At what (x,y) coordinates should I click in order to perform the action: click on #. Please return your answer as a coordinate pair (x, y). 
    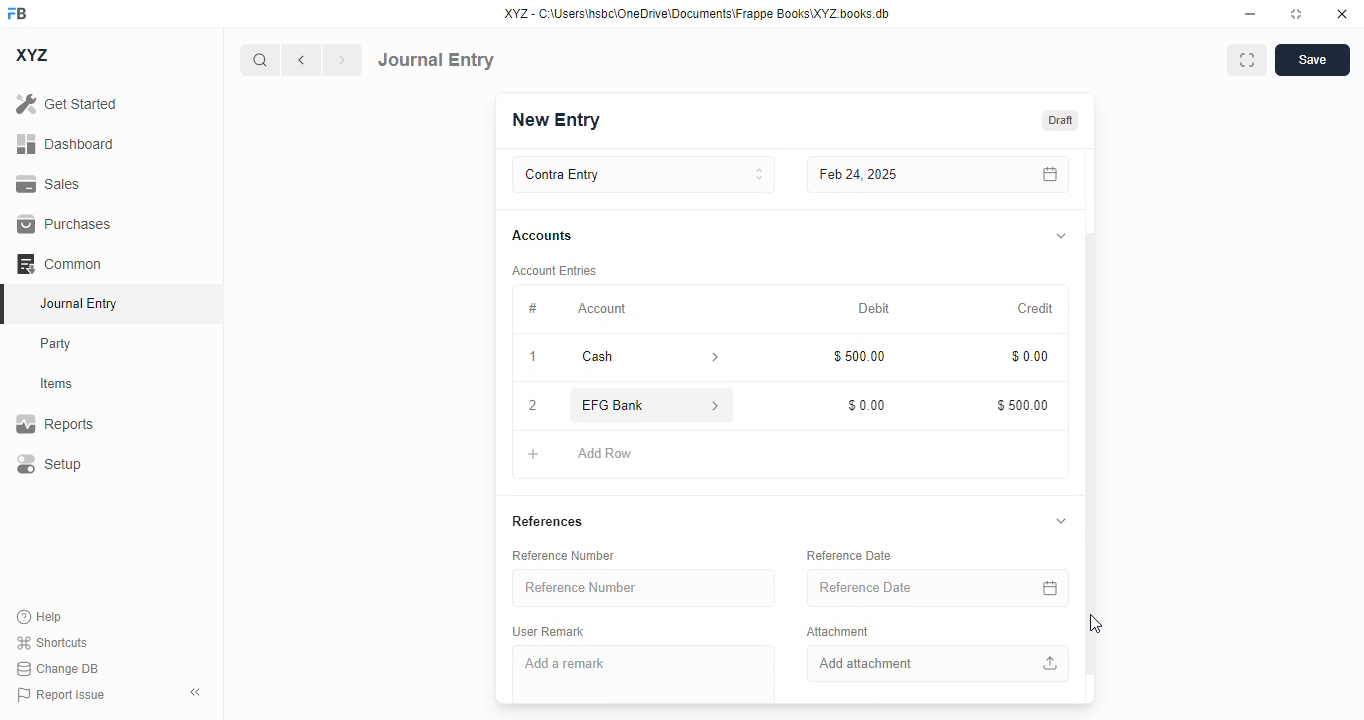
    Looking at the image, I should click on (532, 310).